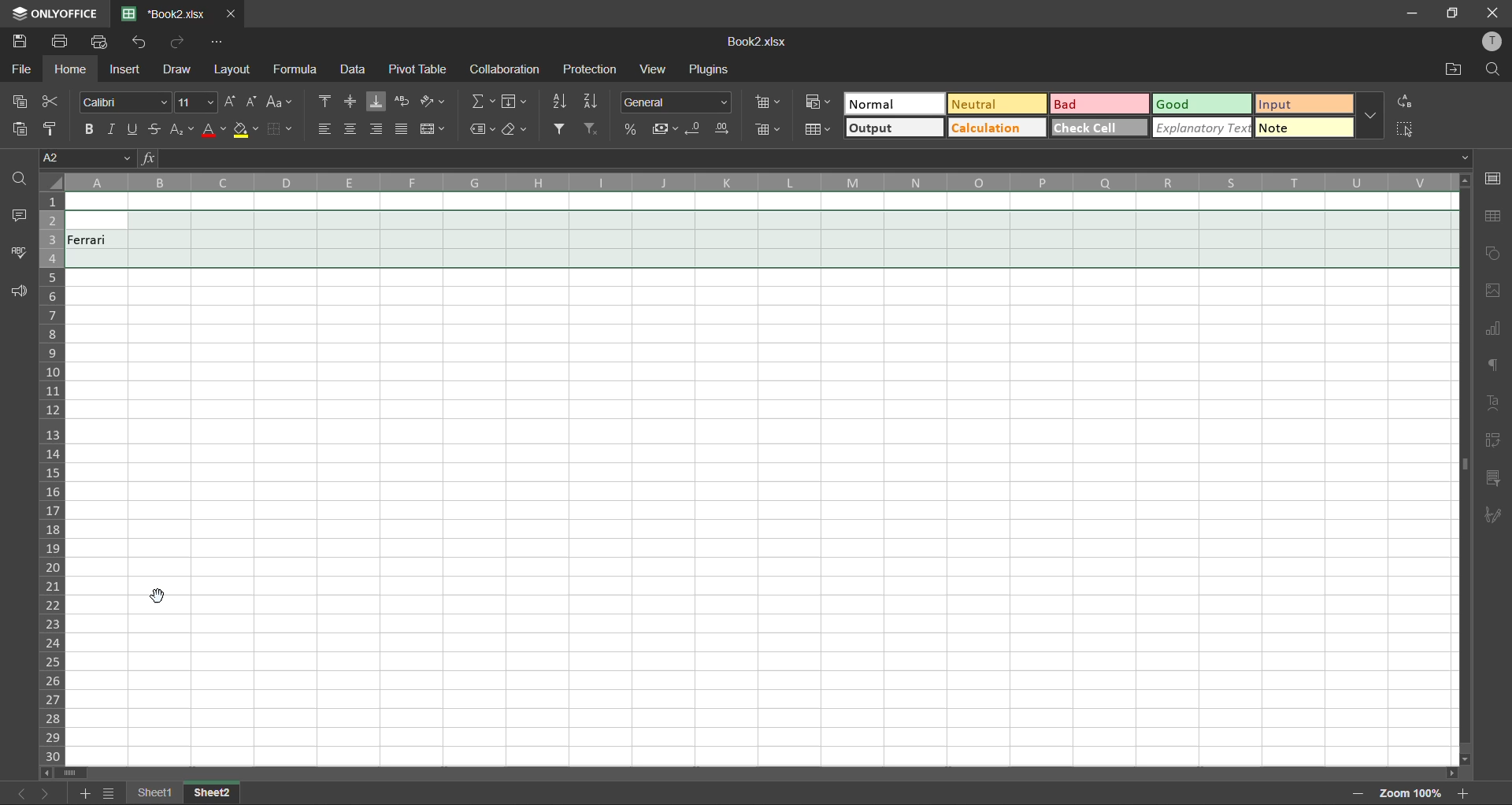 This screenshot has width=1512, height=805. Describe the element at coordinates (177, 42) in the screenshot. I see `redo` at that location.